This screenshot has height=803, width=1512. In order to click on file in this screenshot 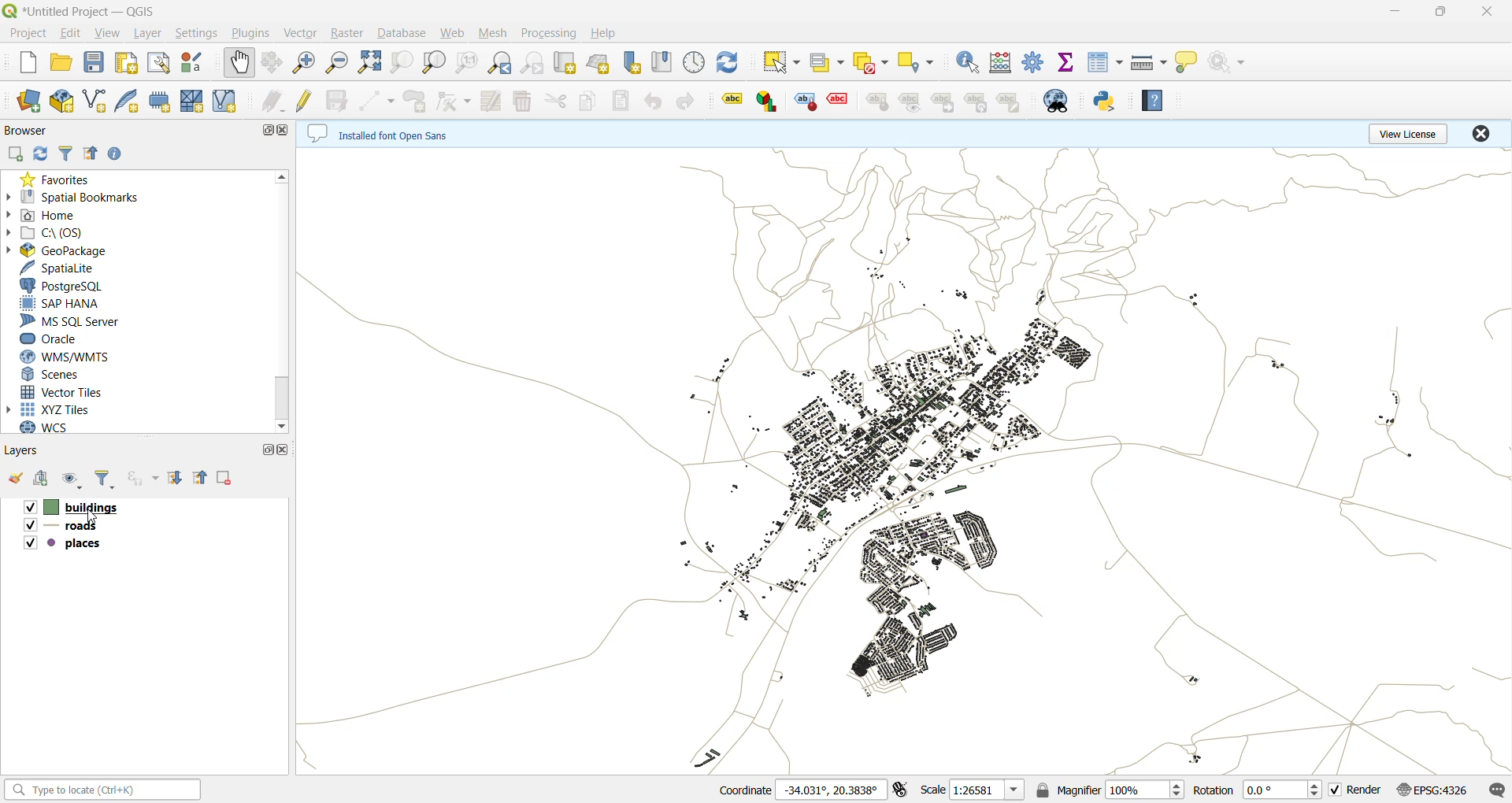, I will do `click(31, 35)`.